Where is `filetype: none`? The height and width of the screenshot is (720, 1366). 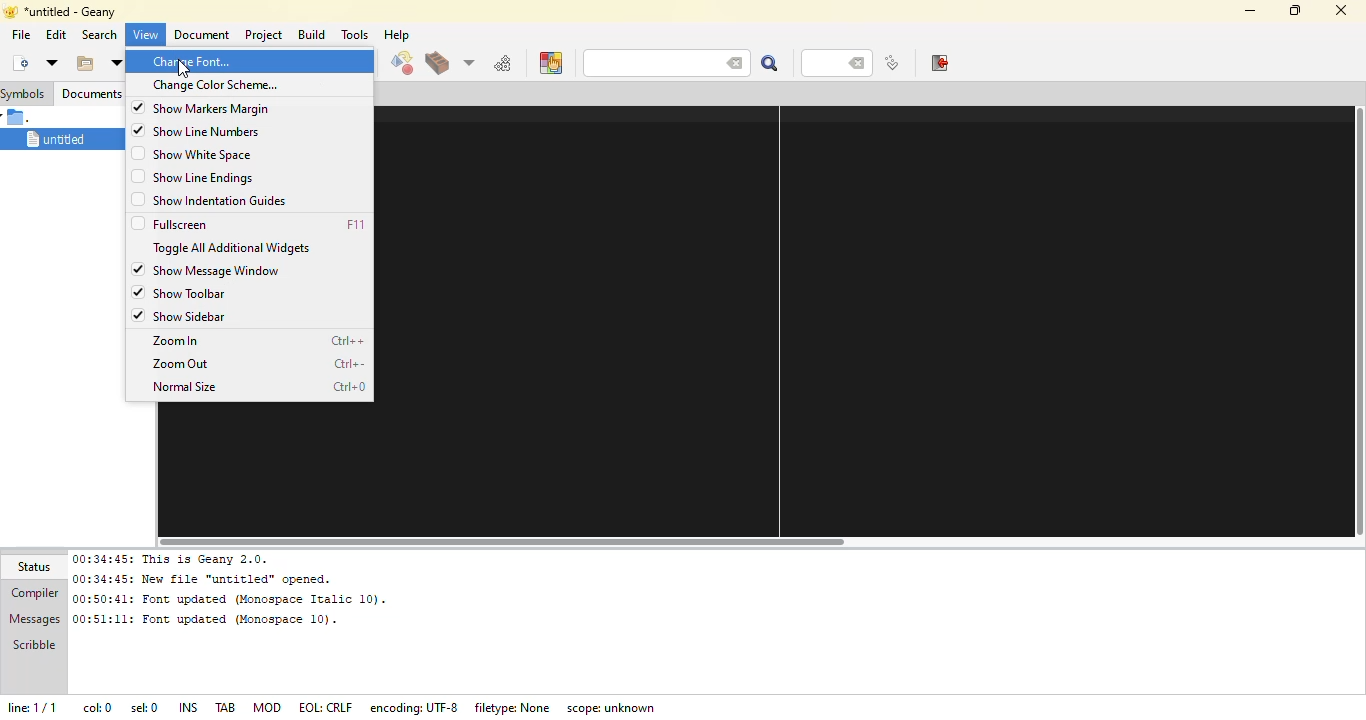 filetype: none is located at coordinates (513, 705).